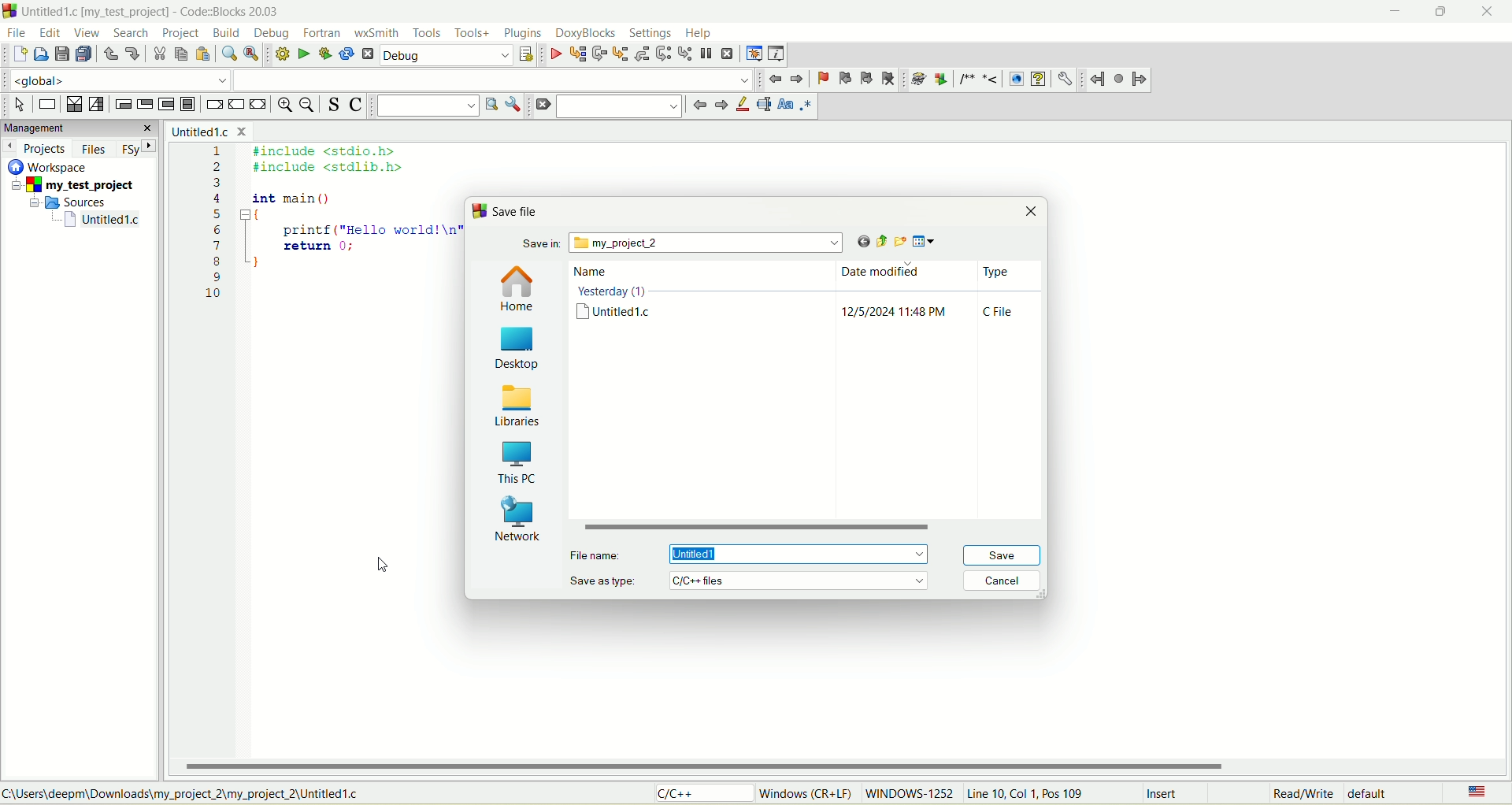  What do you see at coordinates (621, 54) in the screenshot?
I see `step into` at bounding box center [621, 54].